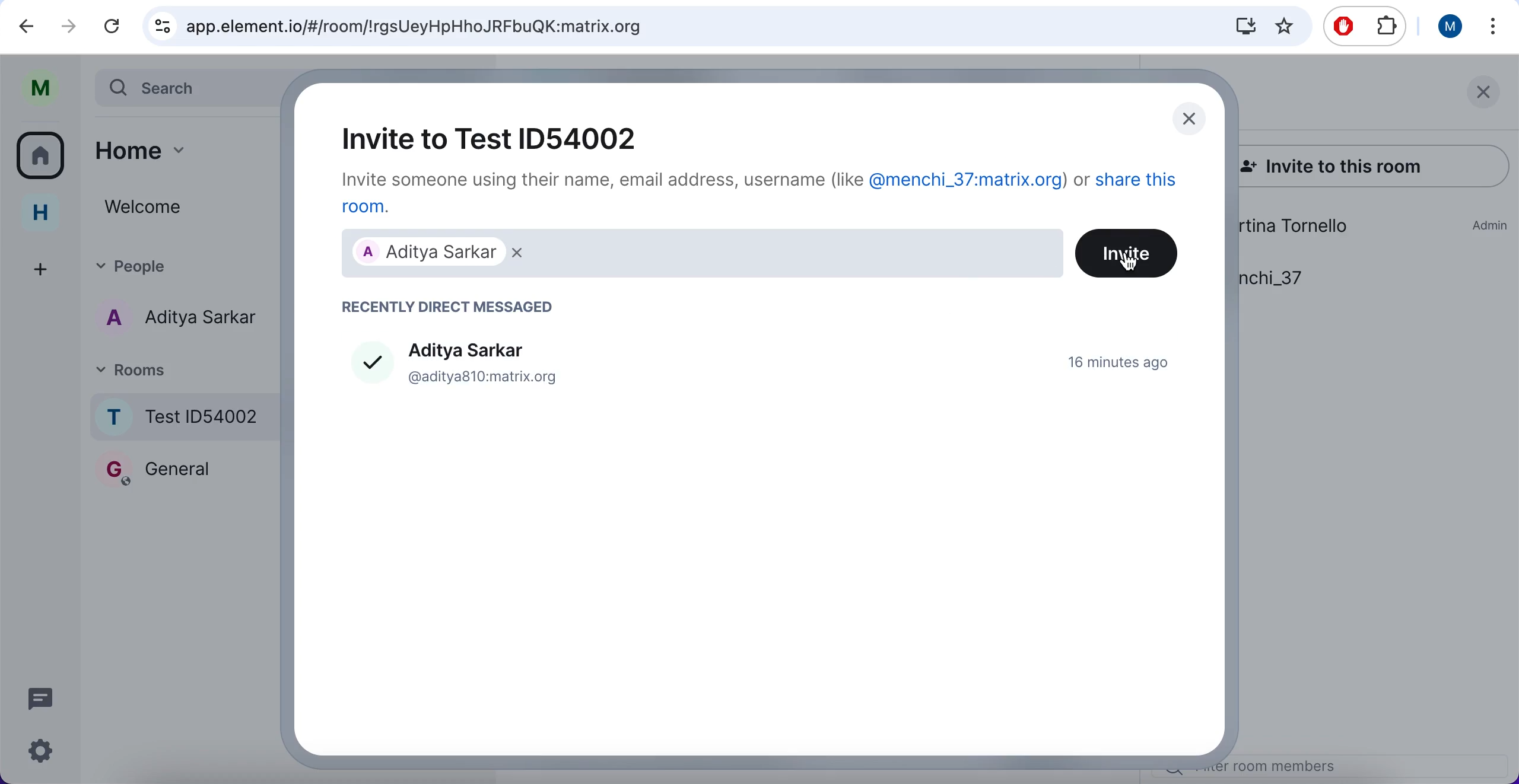 This screenshot has height=784, width=1519. I want to click on ad block, so click(1343, 27).